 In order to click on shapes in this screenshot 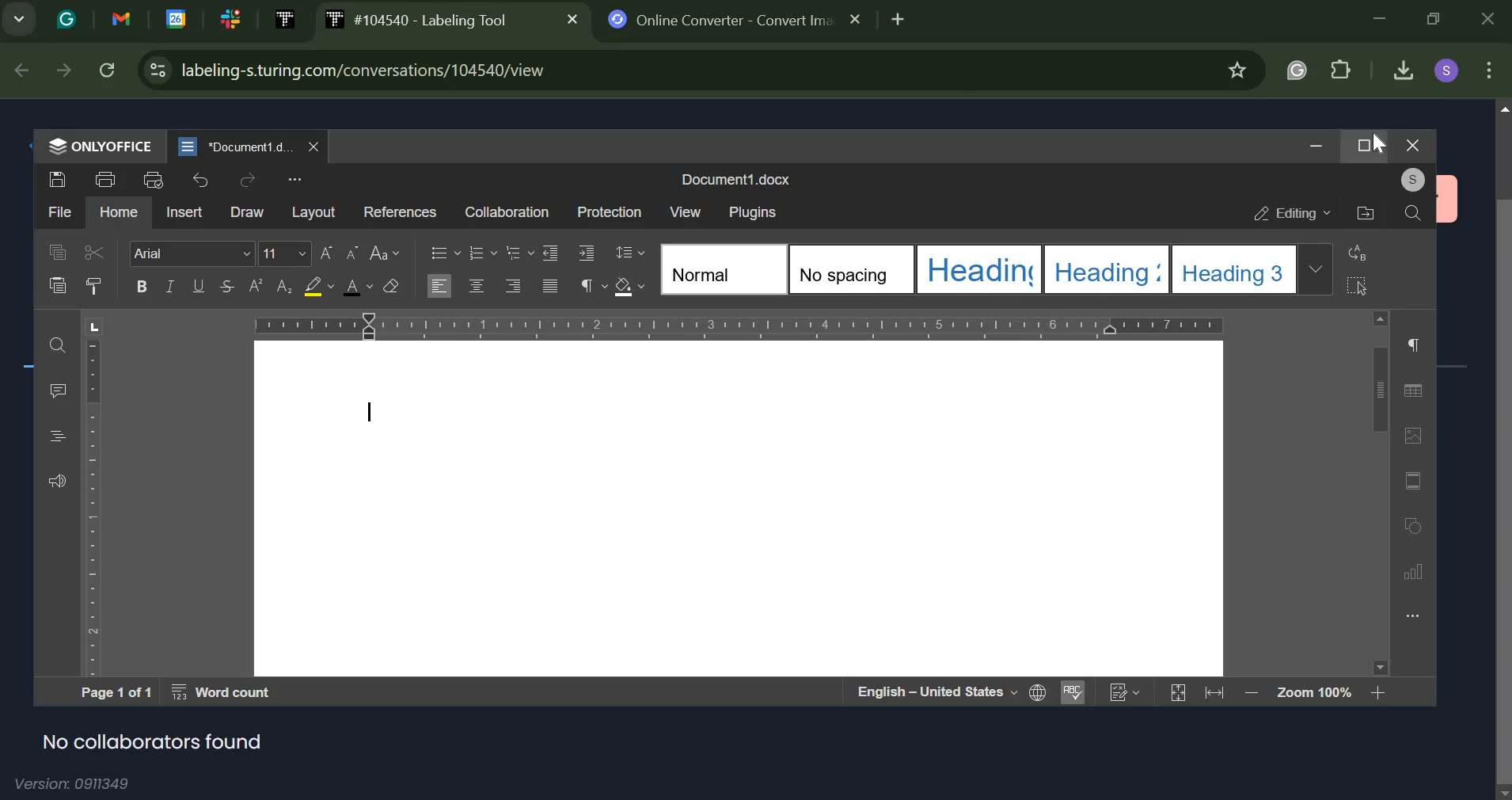, I will do `click(1415, 524)`.